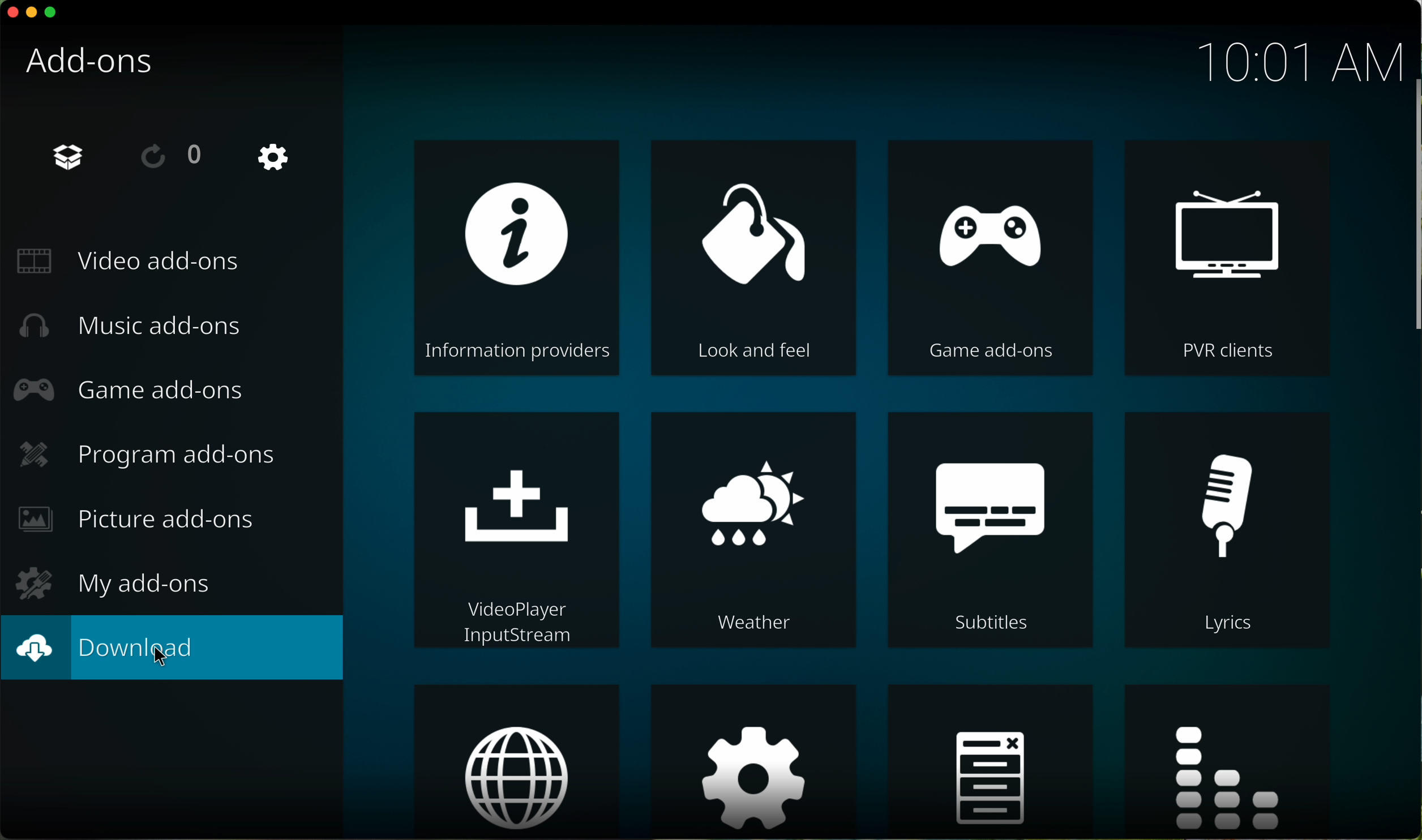 This screenshot has height=840, width=1422. Describe the element at coordinates (1222, 528) in the screenshot. I see `lyrics` at that location.